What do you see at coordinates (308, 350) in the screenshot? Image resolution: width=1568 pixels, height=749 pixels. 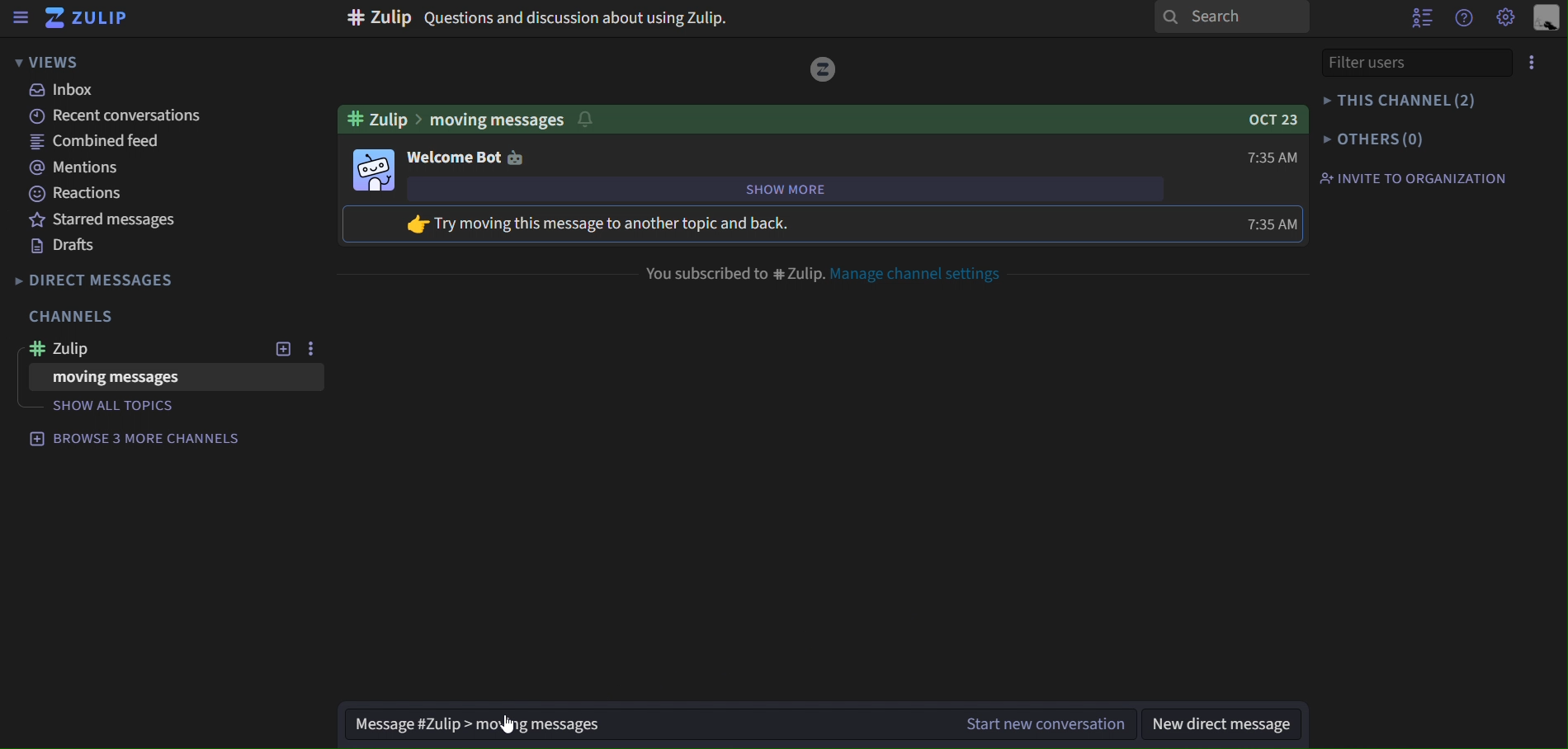 I see `option` at bounding box center [308, 350].